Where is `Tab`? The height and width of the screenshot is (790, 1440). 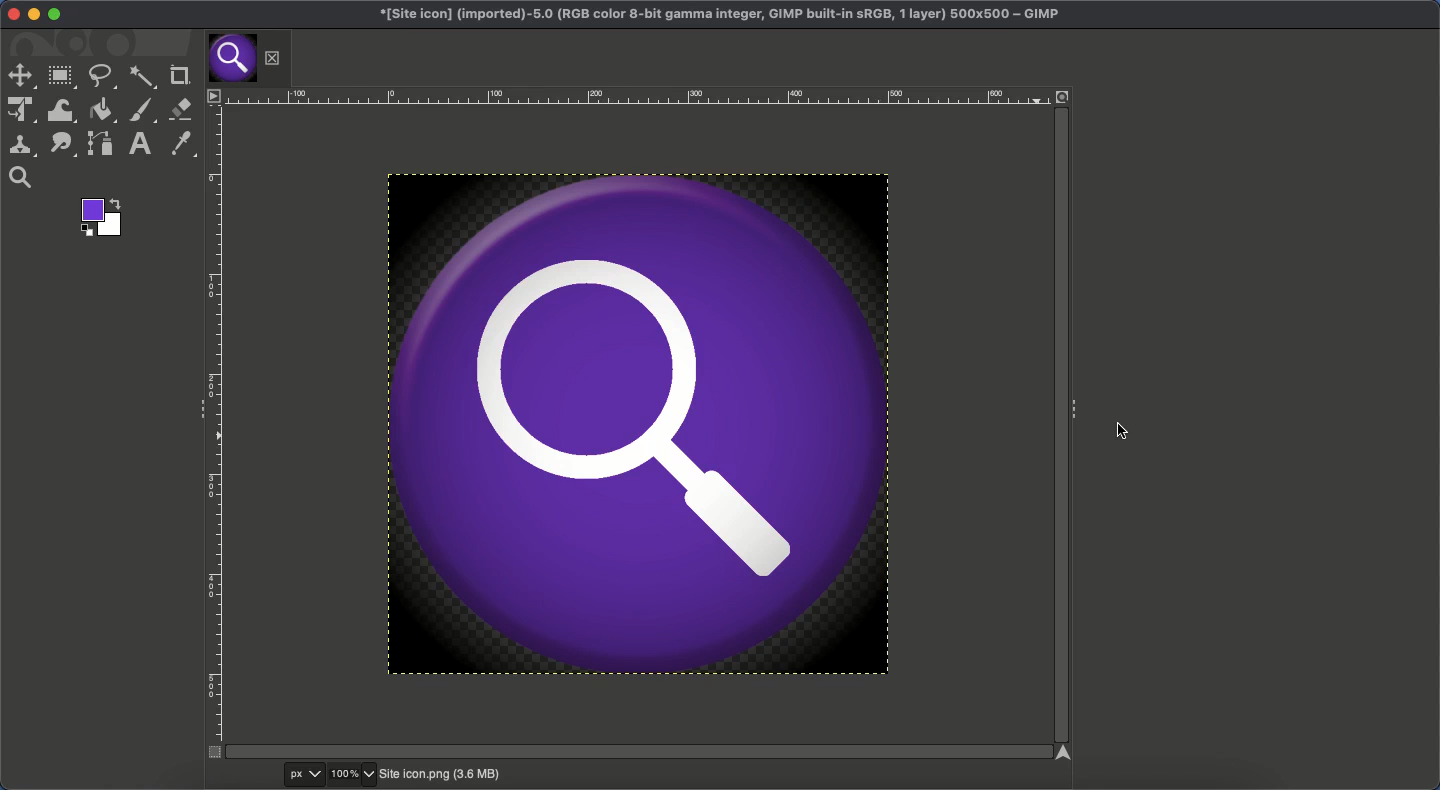 Tab is located at coordinates (231, 59).